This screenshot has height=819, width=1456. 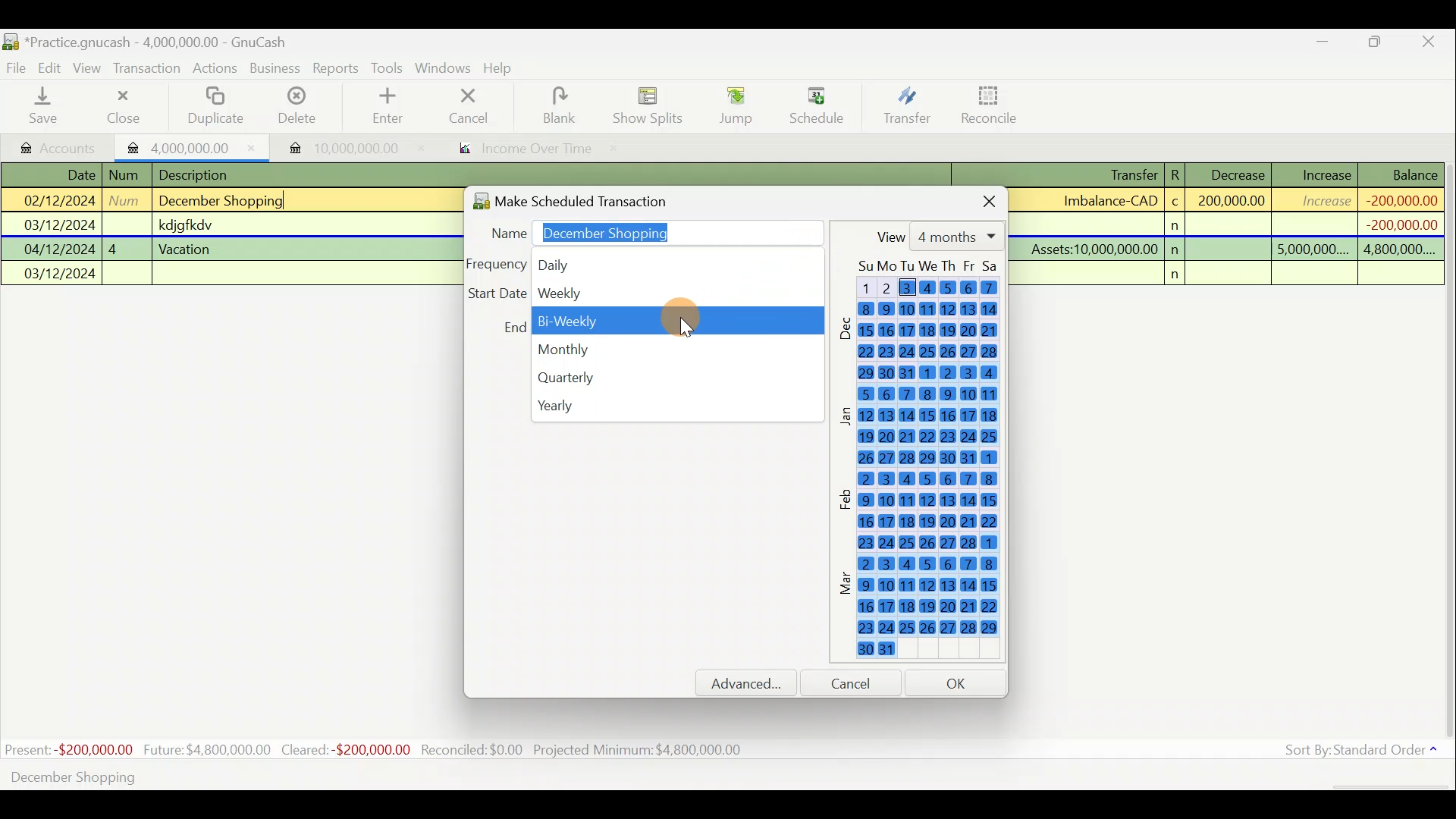 I want to click on Calendar, so click(x=925, y=463).